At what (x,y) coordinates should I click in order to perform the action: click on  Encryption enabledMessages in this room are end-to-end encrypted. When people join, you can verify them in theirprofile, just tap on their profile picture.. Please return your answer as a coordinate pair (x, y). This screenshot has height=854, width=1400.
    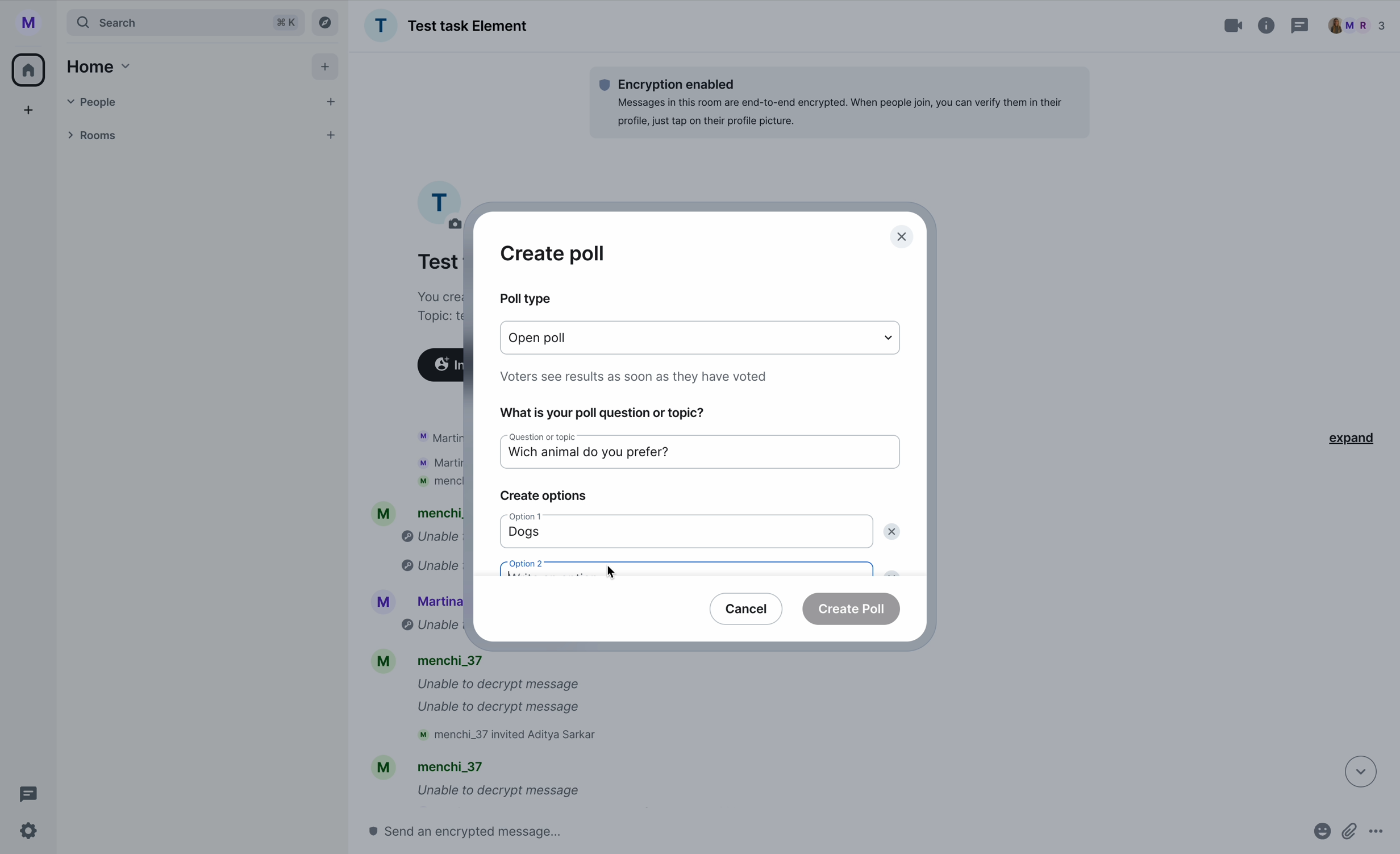
    Looking at the image, I should click on (838, 102).